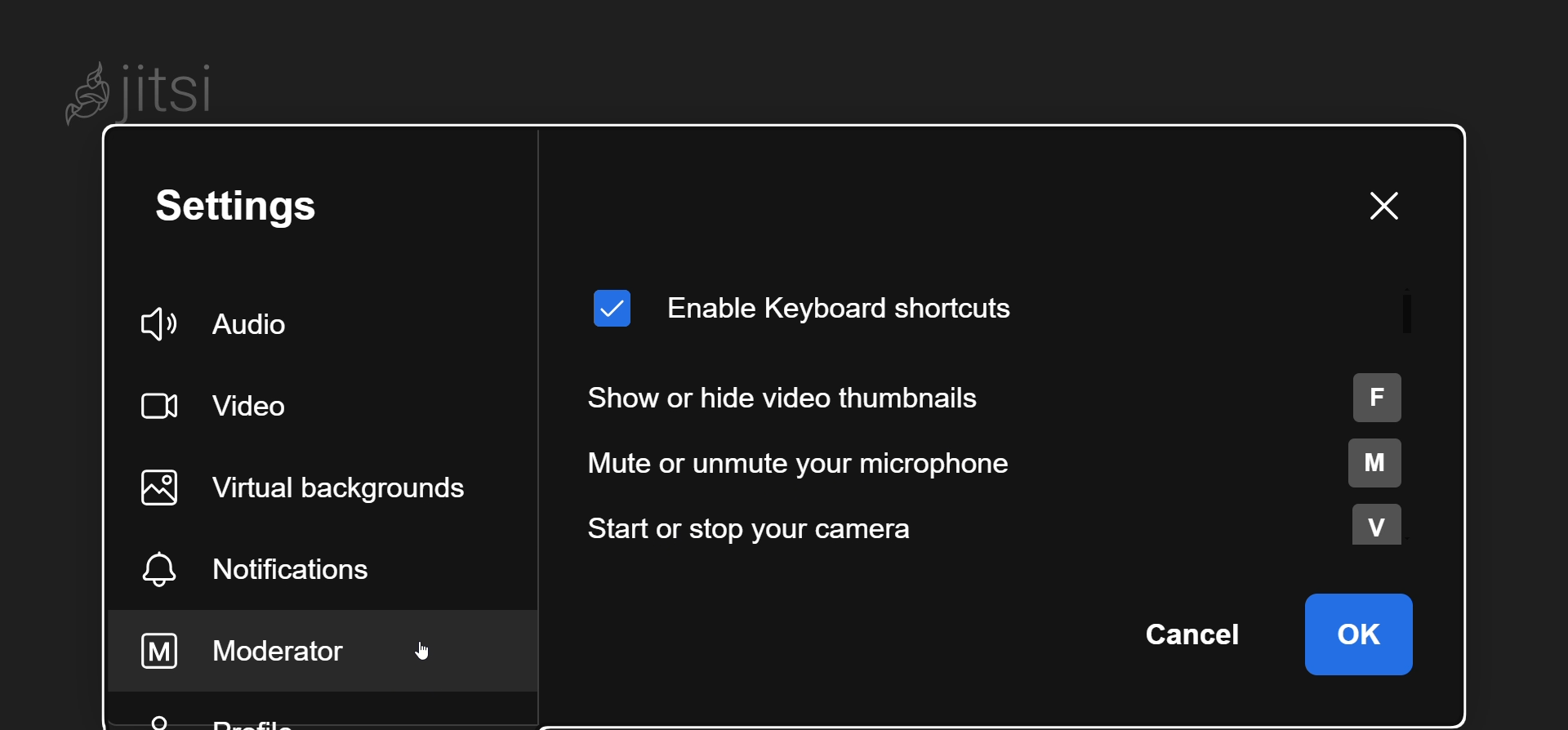  I want to click on virtual background, so click(317, 488).